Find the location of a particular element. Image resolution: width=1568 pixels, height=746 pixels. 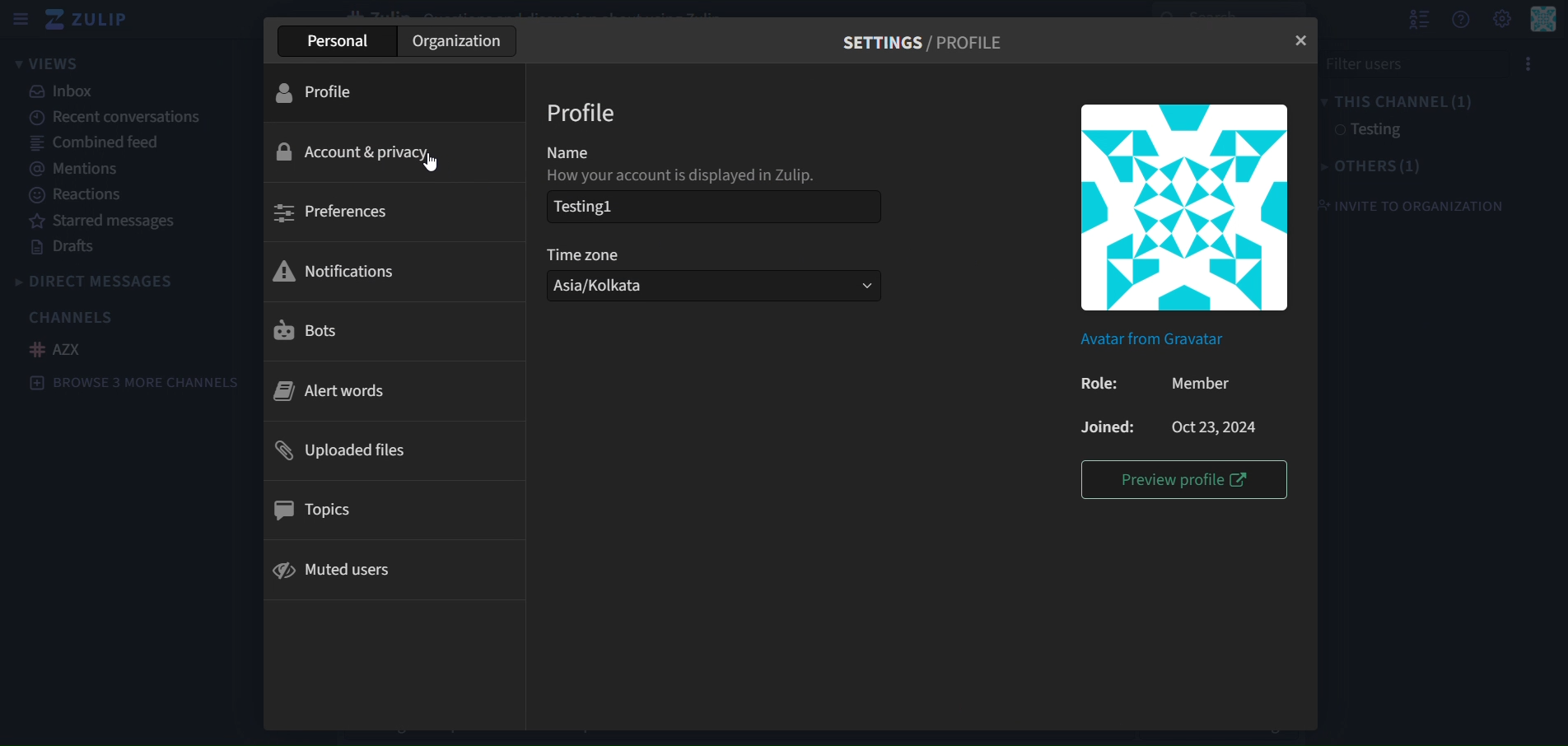

invite to organization is located at coordinates (1419, 205).